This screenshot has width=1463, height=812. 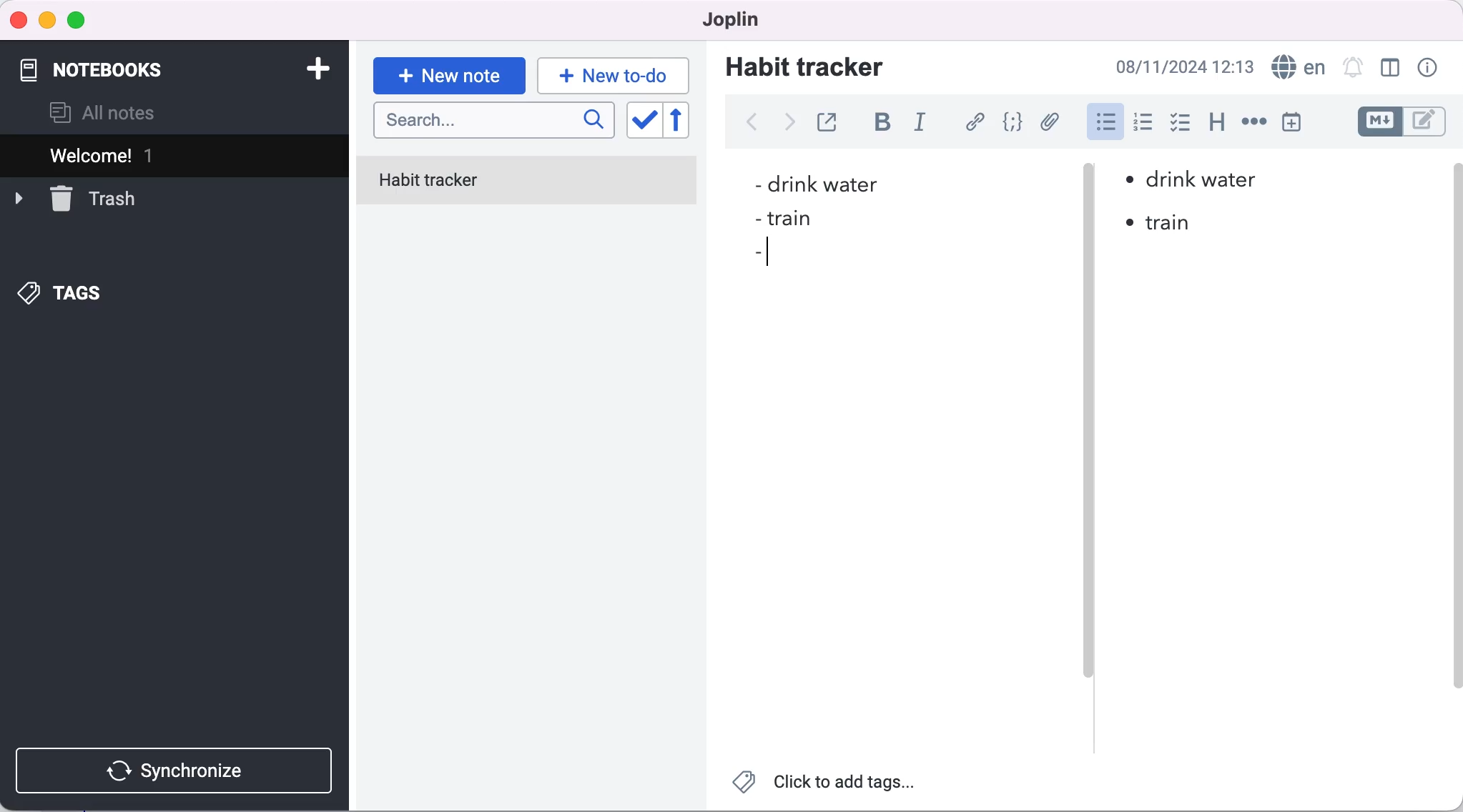 What do you see at coordinates (448, 76) in the screenshot?
I see `new note` at bounding box center [448, 76].